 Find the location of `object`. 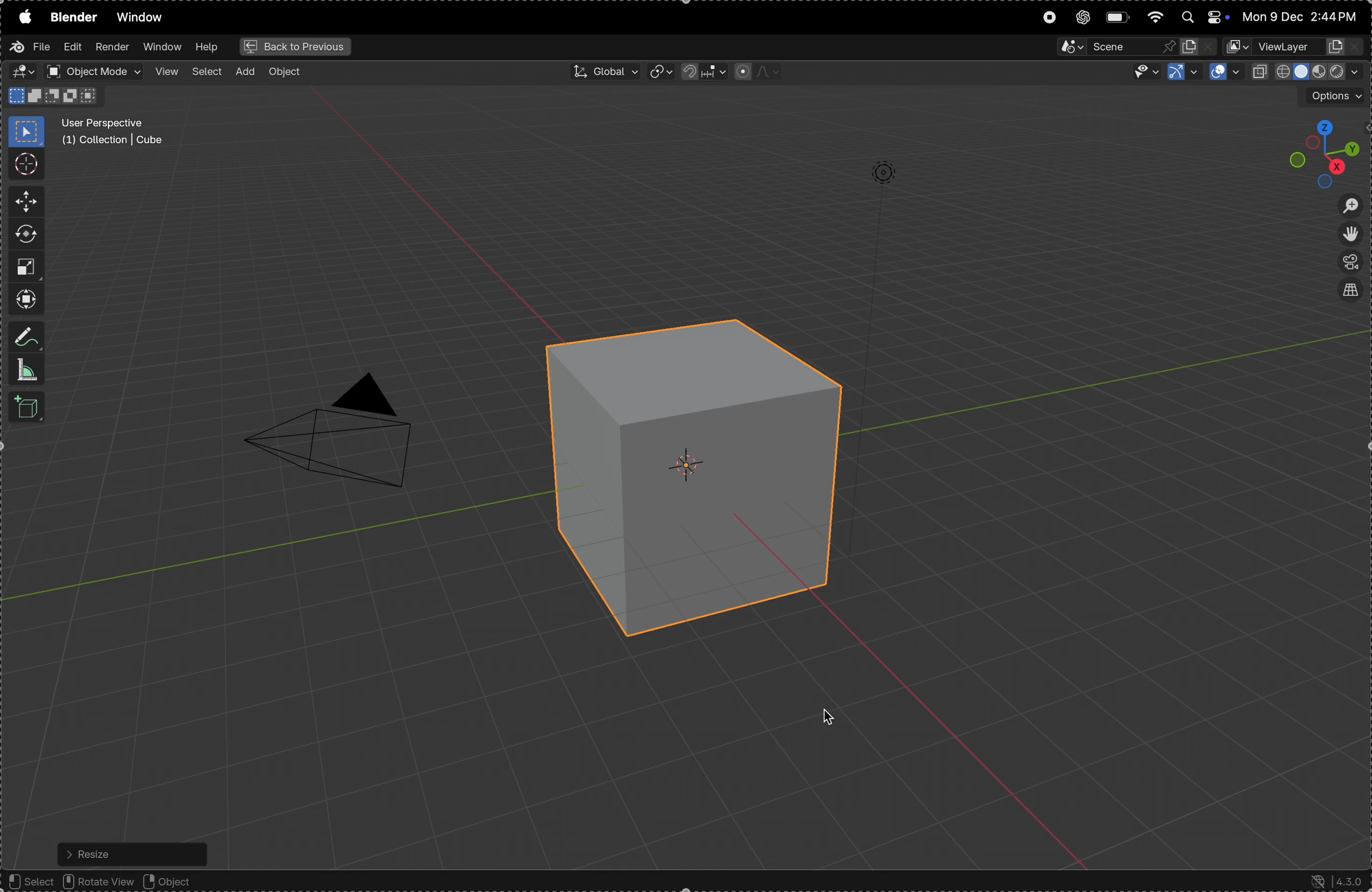

object is located at coordinates (672, 883).